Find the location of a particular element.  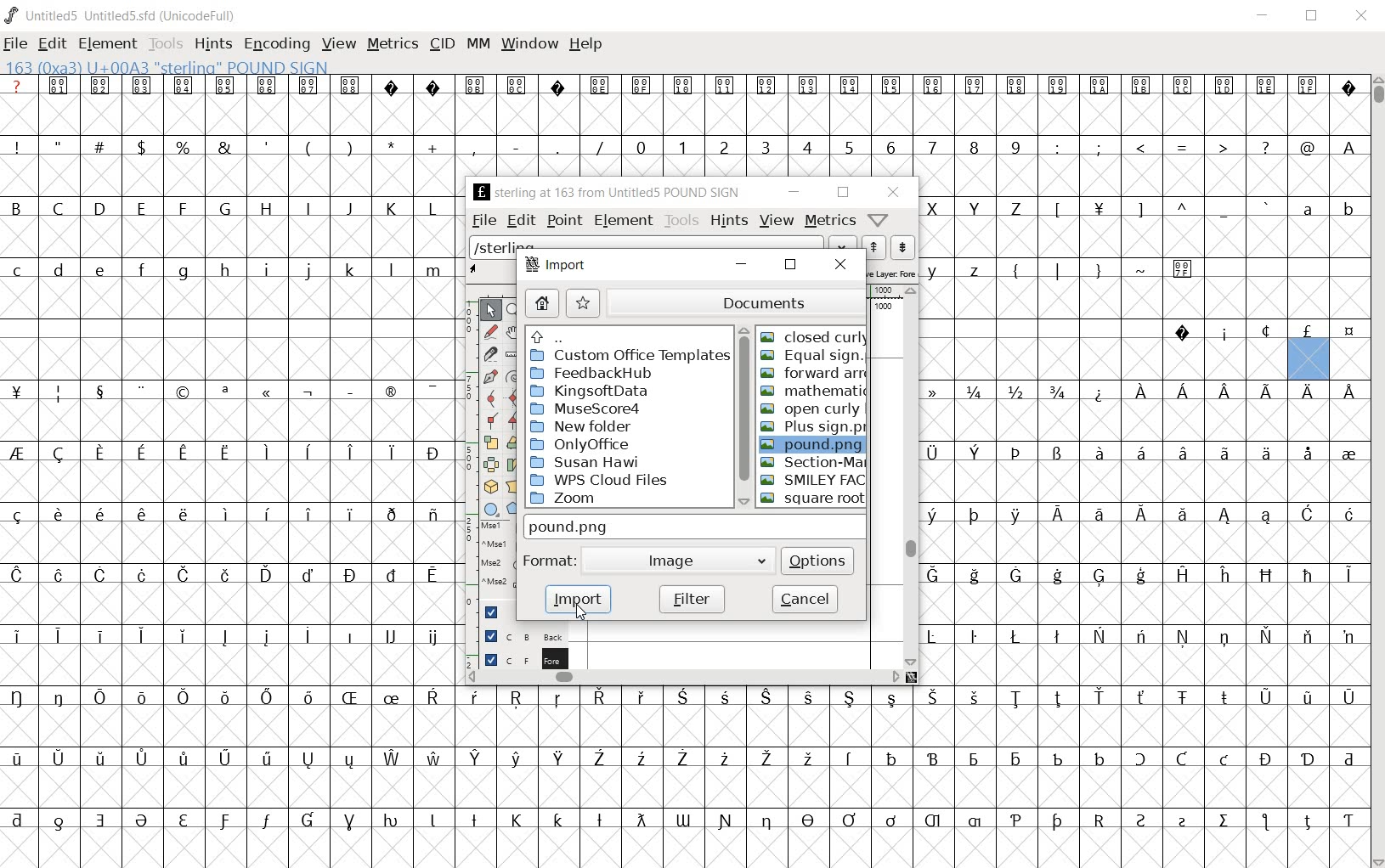

Symbol is located at coordinates (1055, 822).